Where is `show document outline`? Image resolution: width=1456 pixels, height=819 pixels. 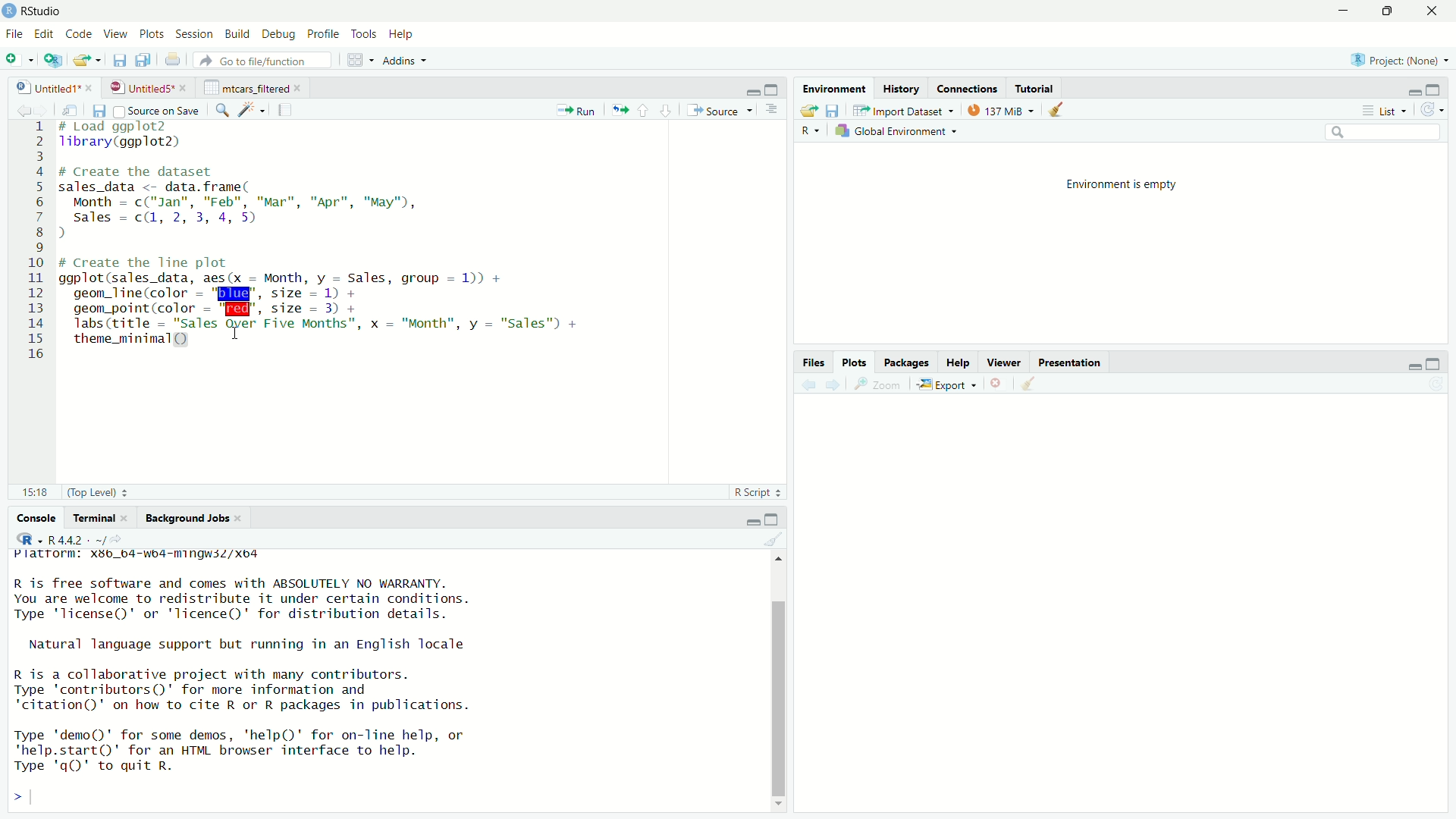 show document outline is located at coordinates (772, 111).